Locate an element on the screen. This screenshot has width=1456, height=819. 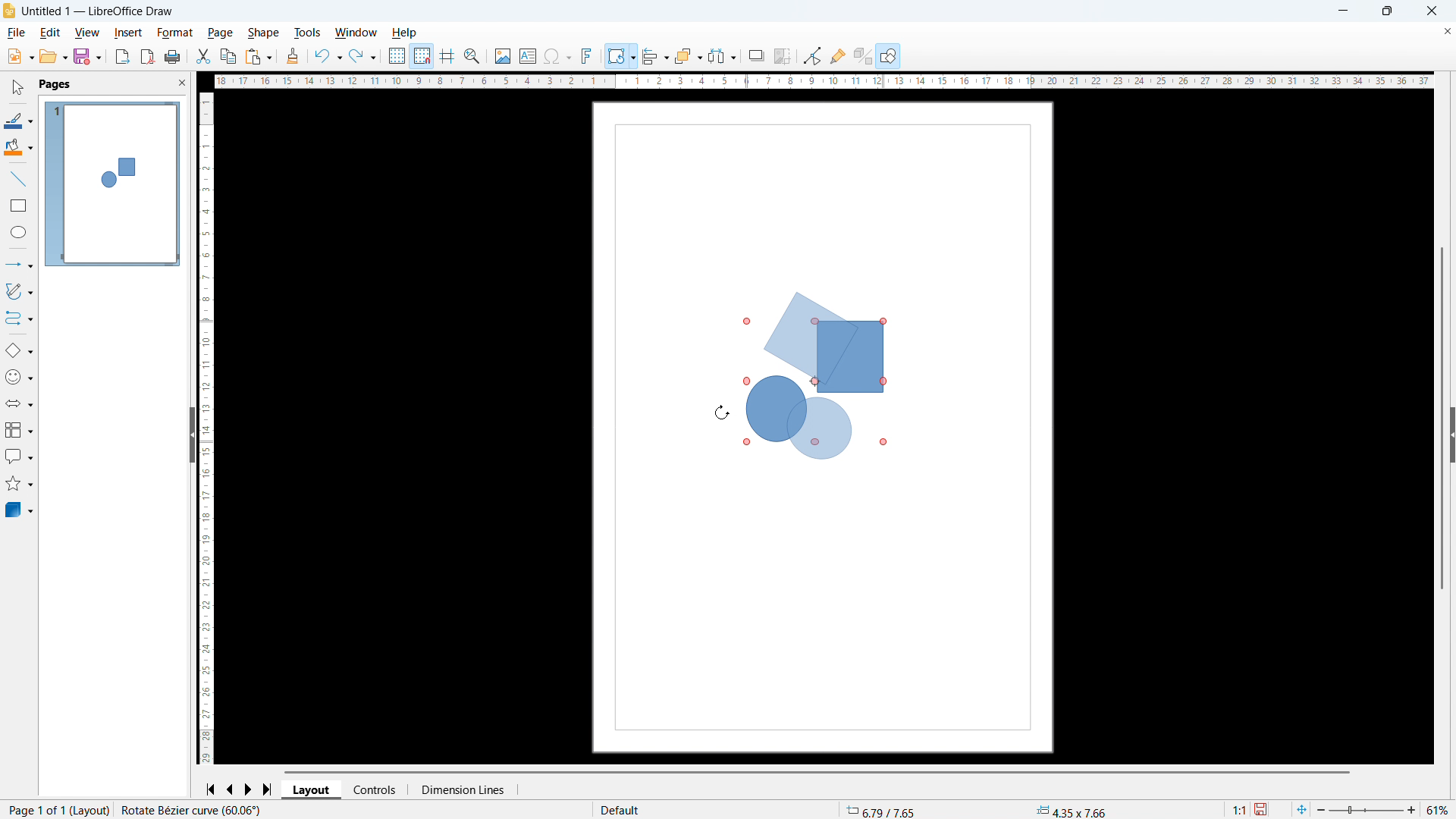
Tools  is located at coordinates (308, 32).